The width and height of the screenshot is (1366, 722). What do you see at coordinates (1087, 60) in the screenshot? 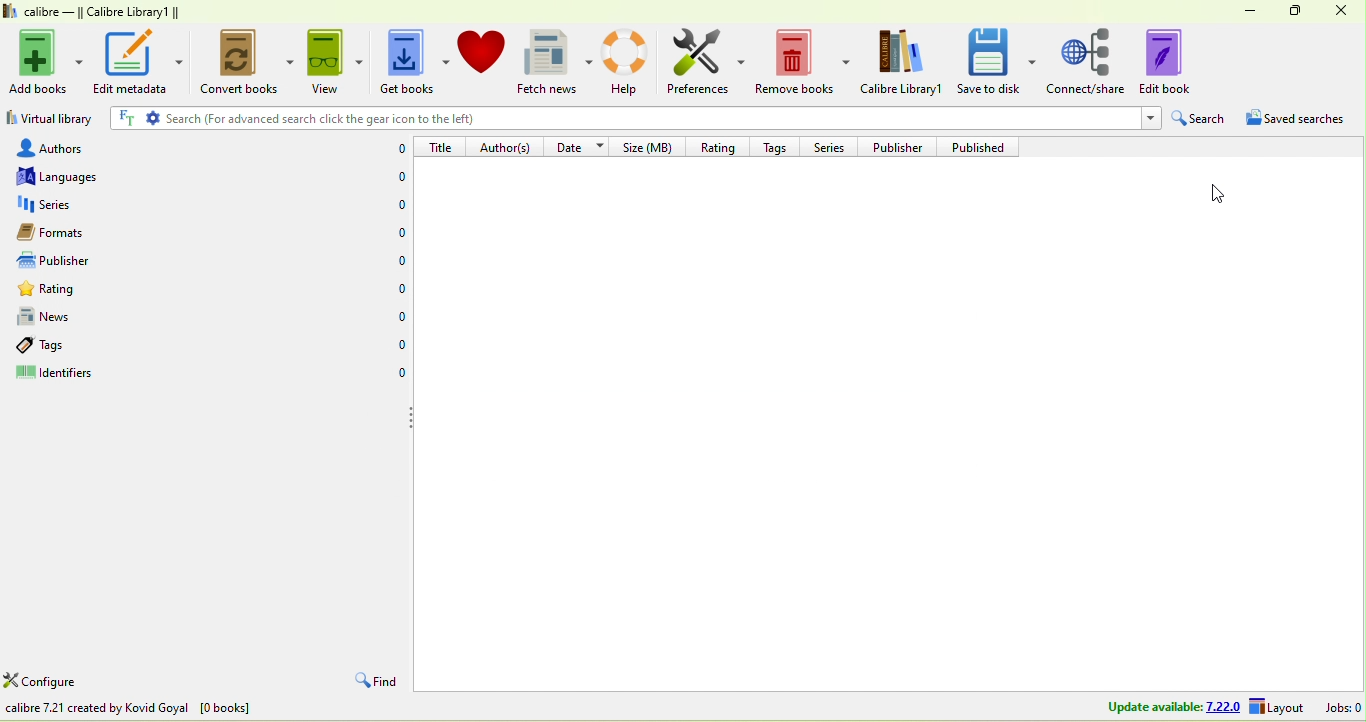
I see `connect/share` at bounding box center [1087, 60].